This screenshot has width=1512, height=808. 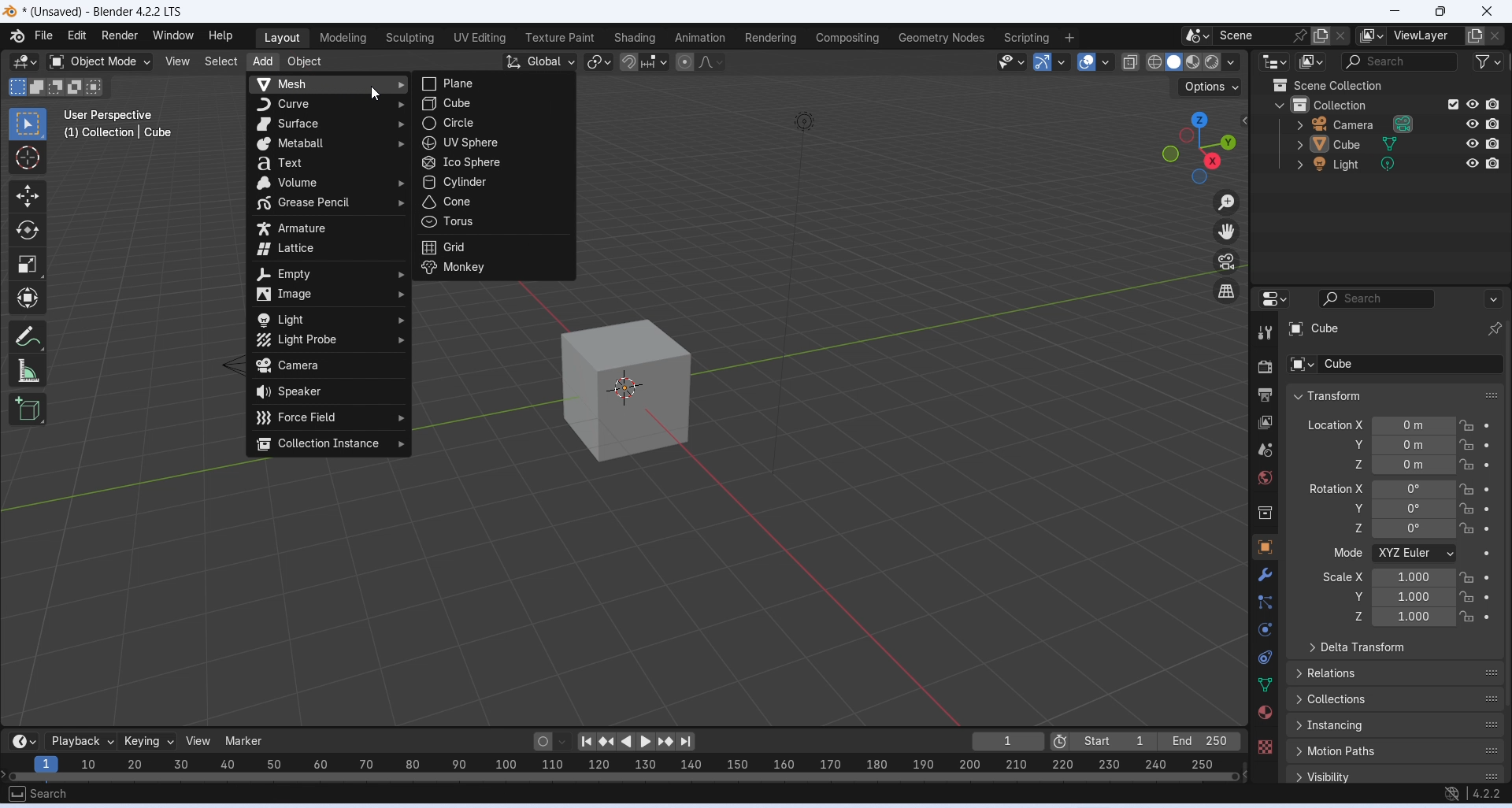 What do you see at coordinates (495, 246) in the screenshot?
I see `grid` at bounding box center [495, 246].